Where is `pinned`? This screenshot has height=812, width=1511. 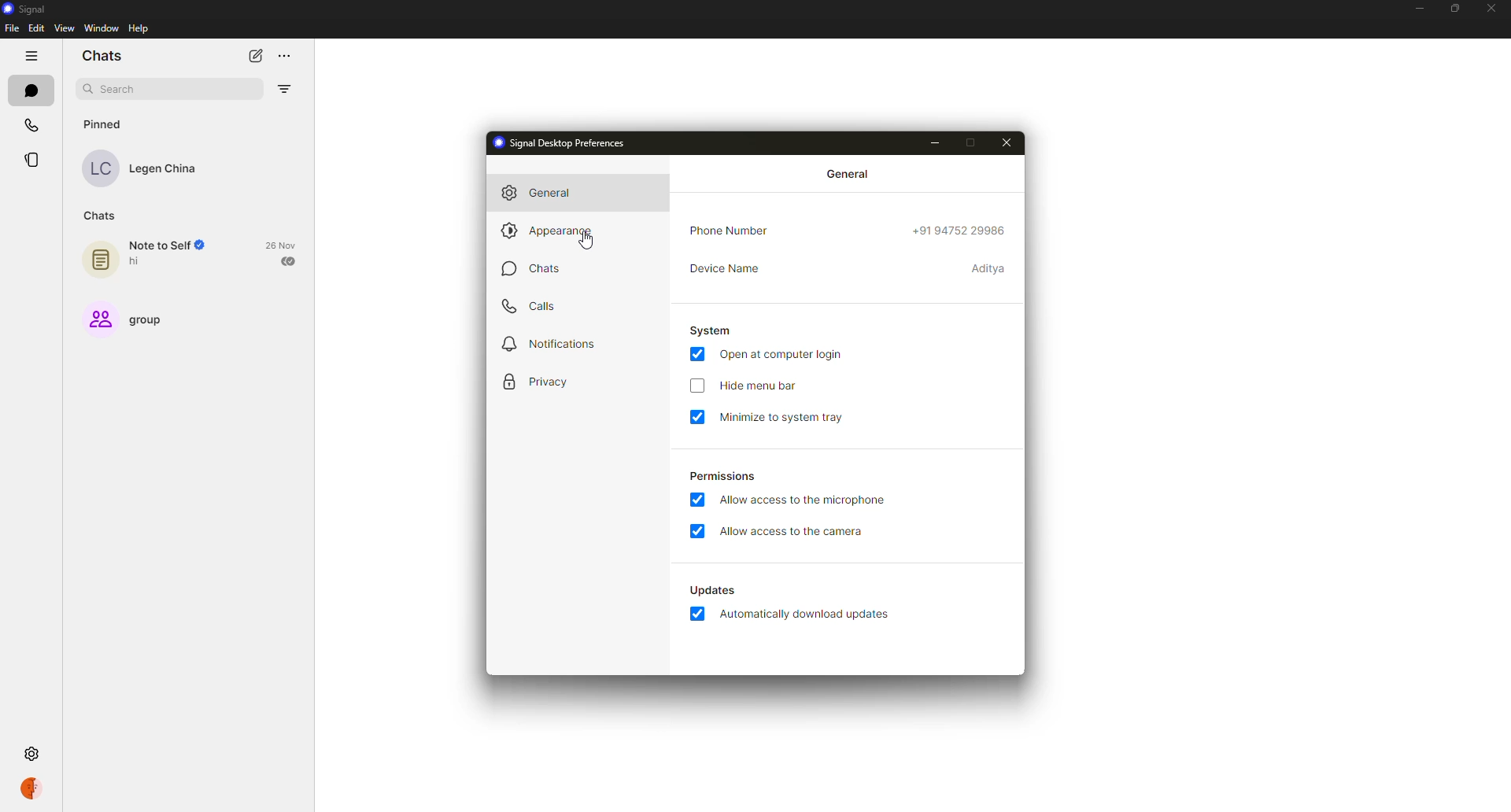
pinned is located at coordinates (105, 124).